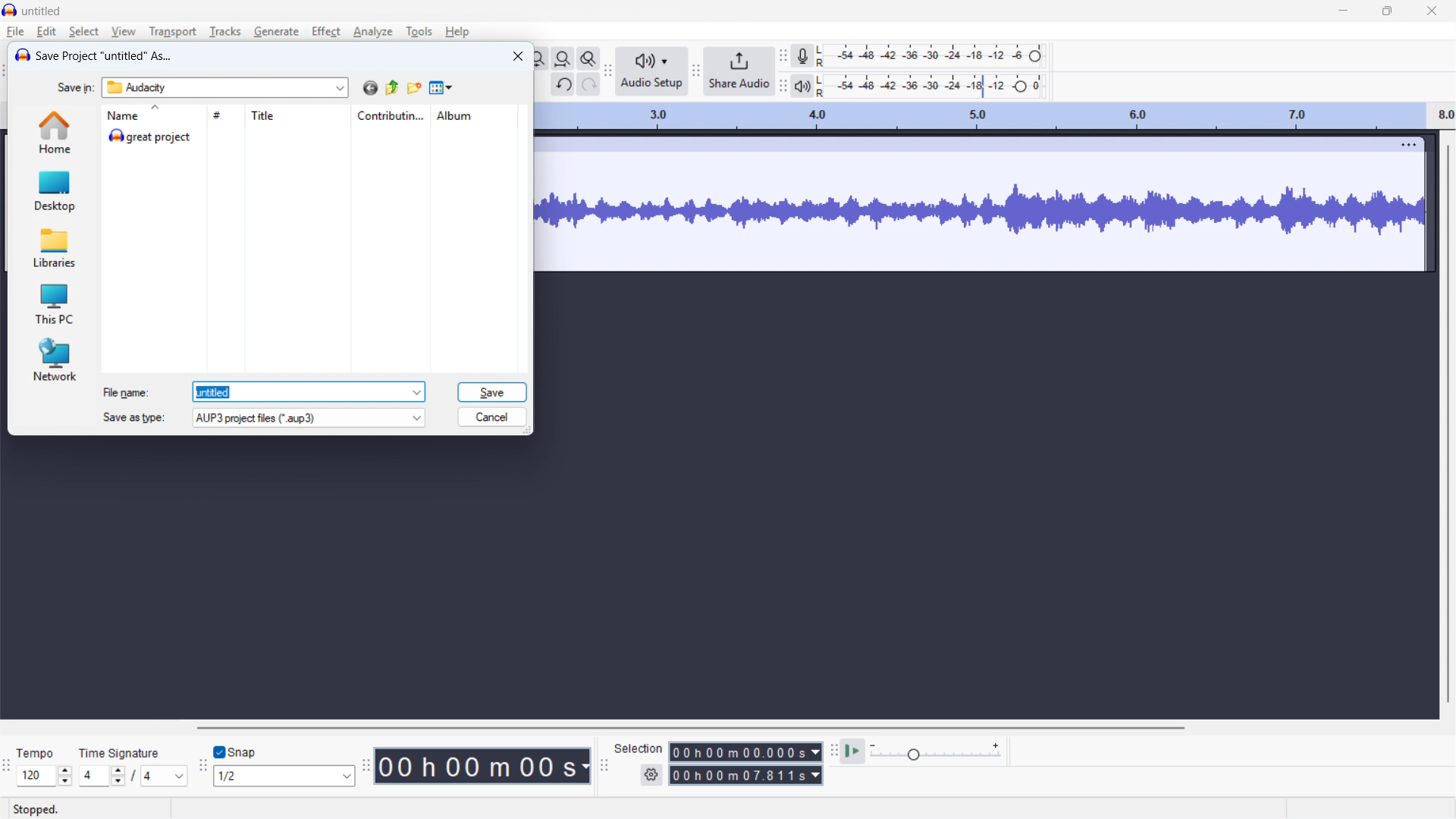  Describe the element at coordinates (237, 752) in the screenshot. I see `toggle snap` at that location.